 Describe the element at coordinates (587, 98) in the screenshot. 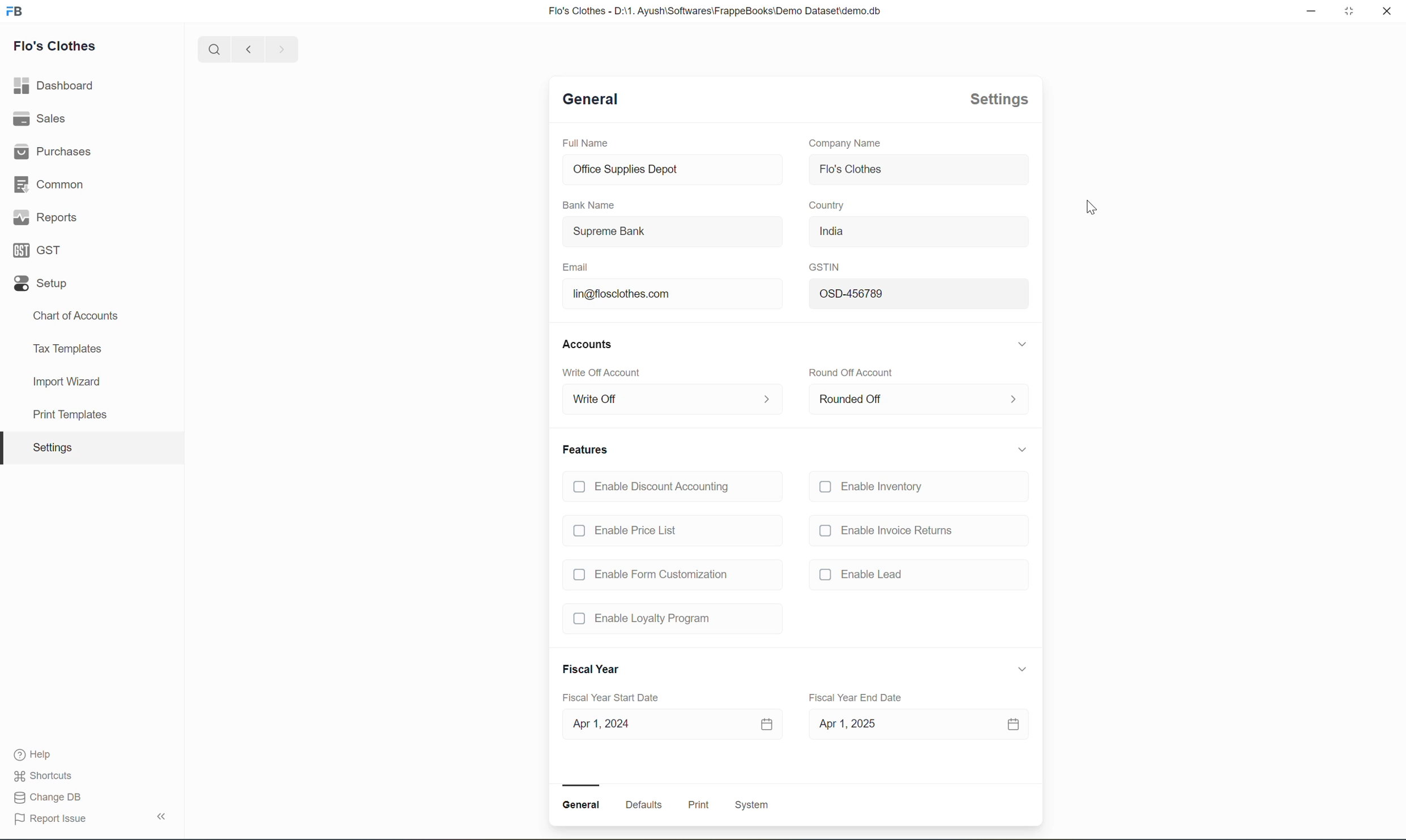

I see `General` at that location.